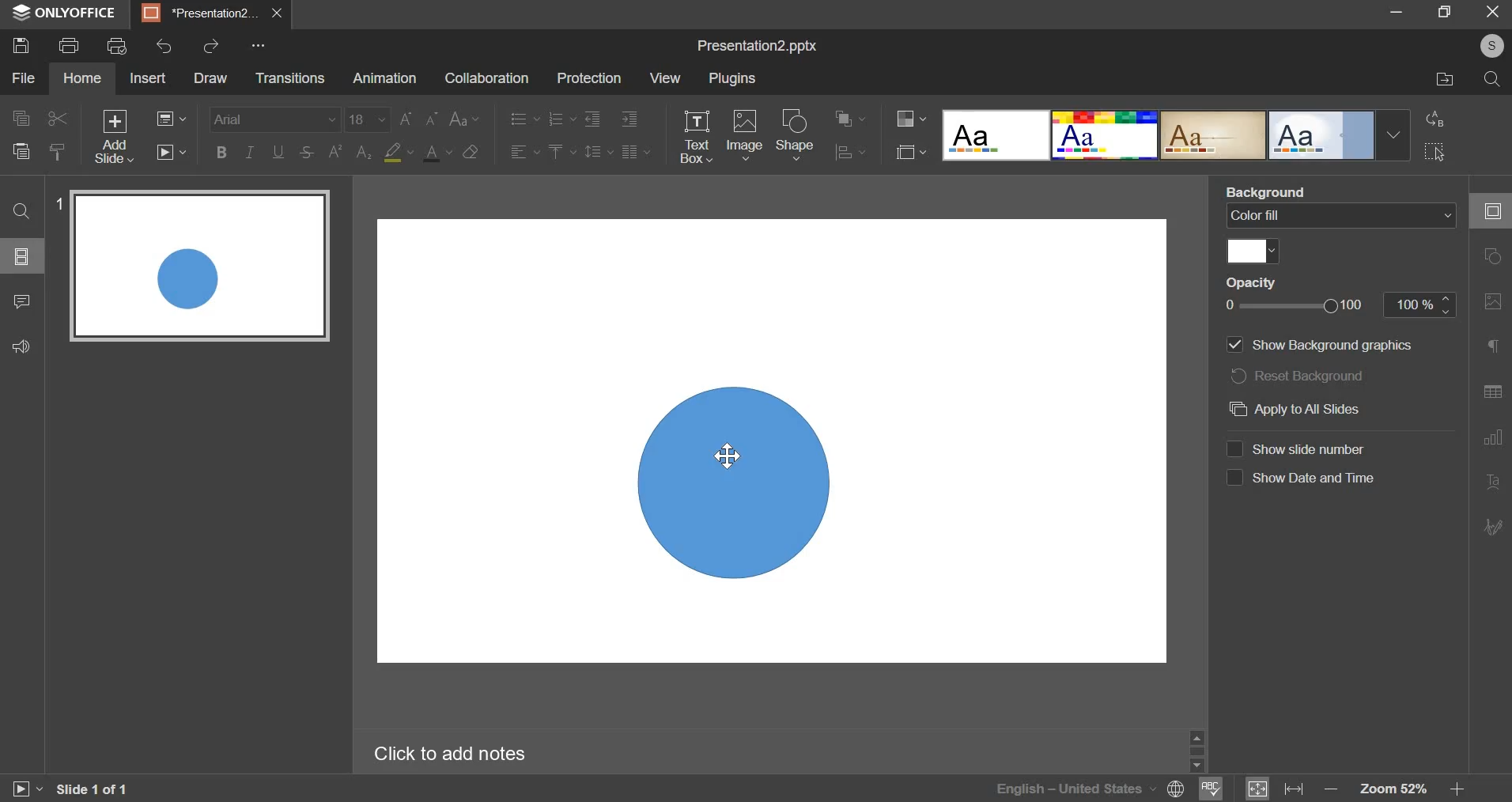 This screenshot has height=802, width=1512. I want to click on , so click(1200, 761).